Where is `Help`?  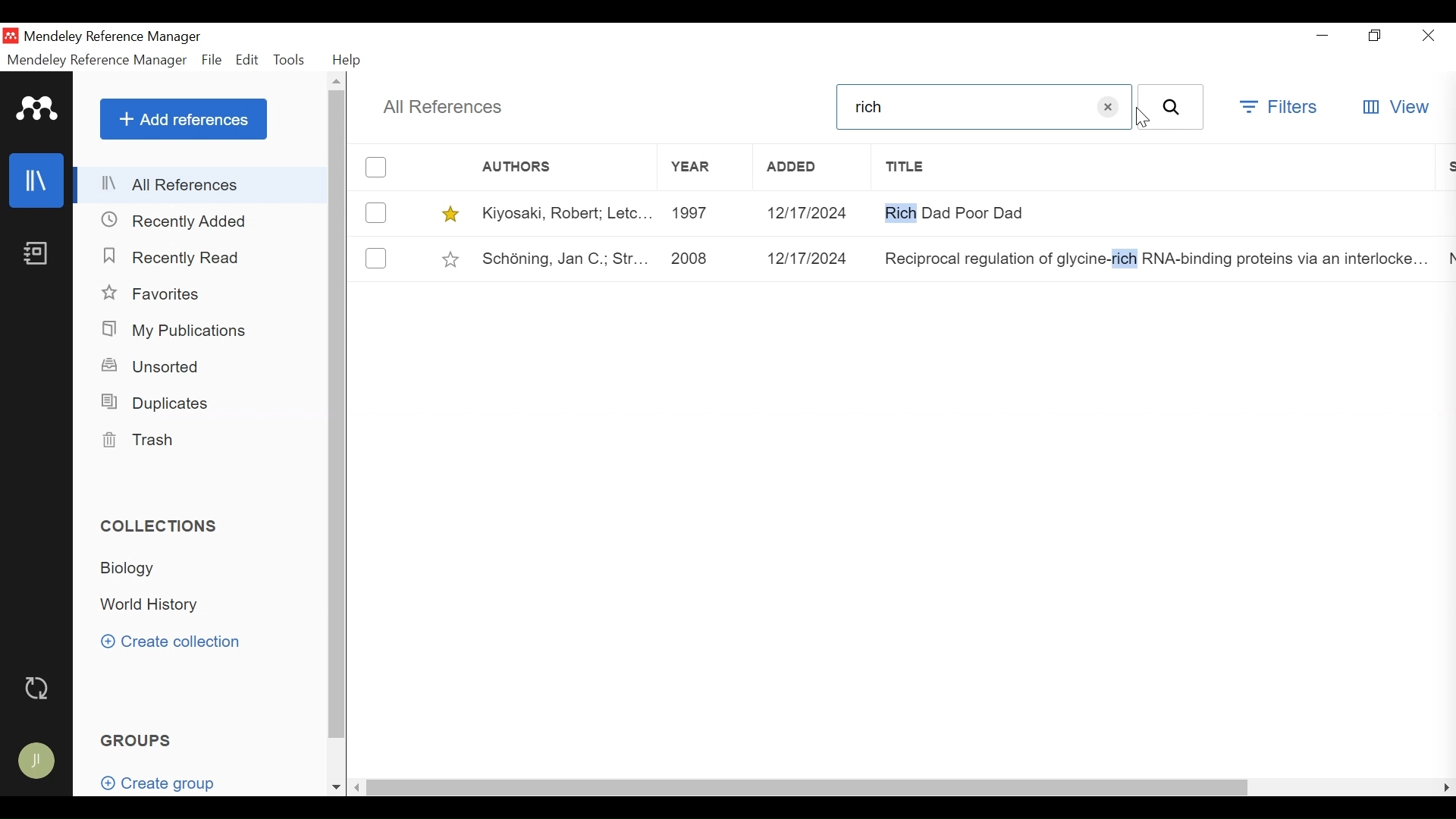 Help is located at coordinates (349, 61).